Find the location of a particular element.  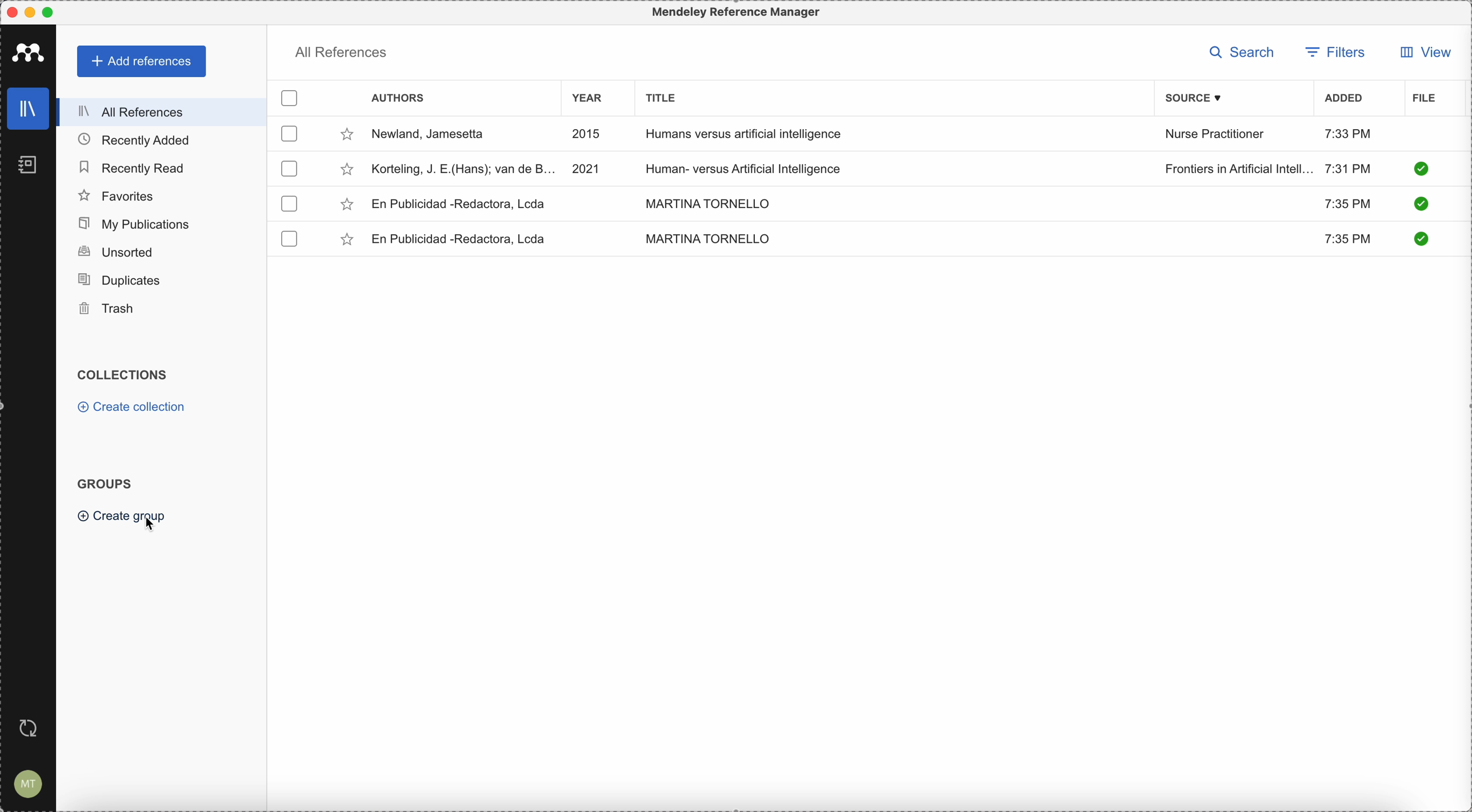

add references is located at coordinates (143, 62).